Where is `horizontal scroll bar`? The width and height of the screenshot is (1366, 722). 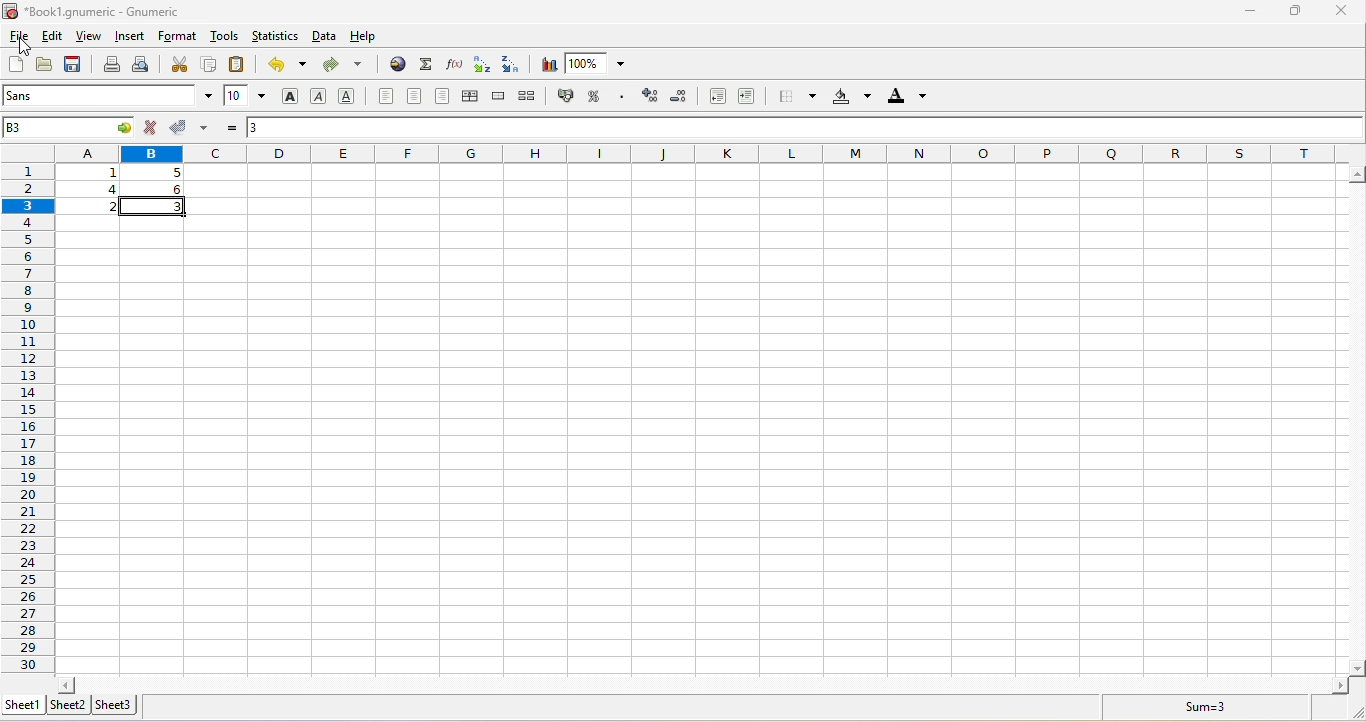 horizontal scroll bar is located at coordinates (700, 684).